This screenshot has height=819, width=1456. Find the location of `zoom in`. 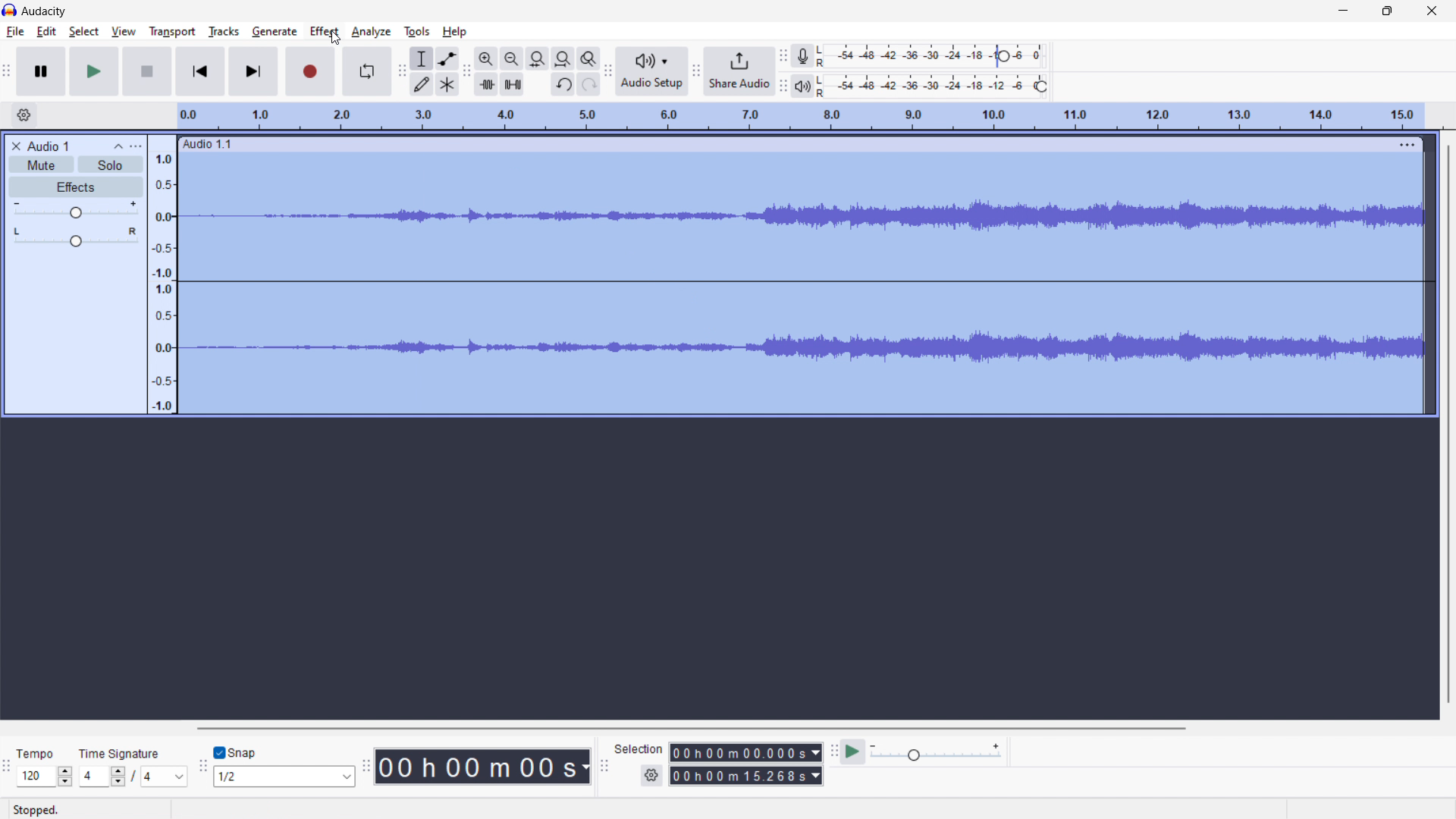

zoom in is located at coordinates (485, 59).